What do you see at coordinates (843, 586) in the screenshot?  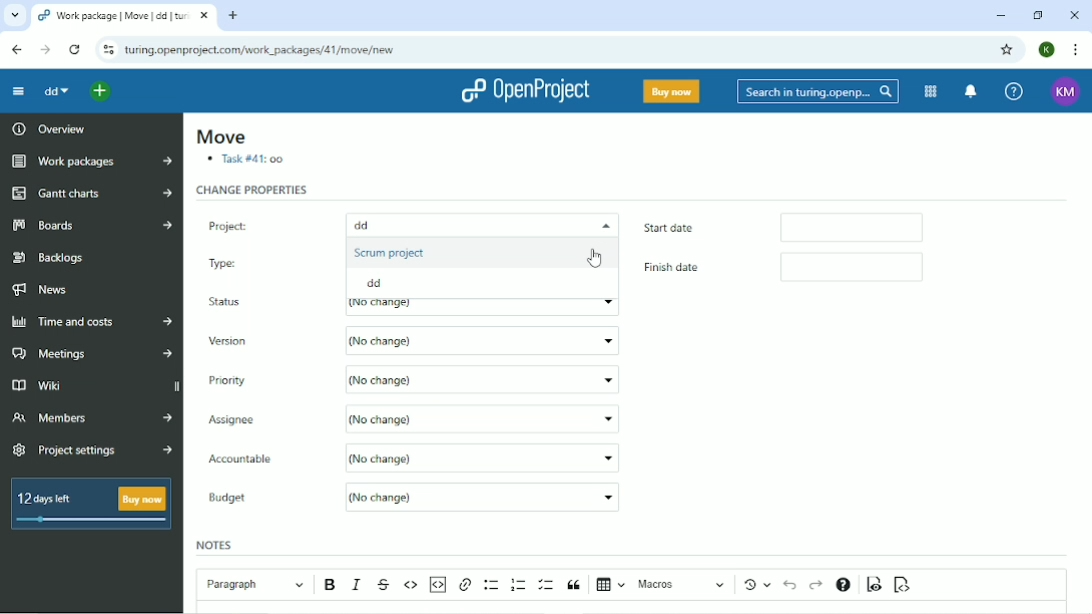 I see `Text formatting help` at bounding box center [843, 586].